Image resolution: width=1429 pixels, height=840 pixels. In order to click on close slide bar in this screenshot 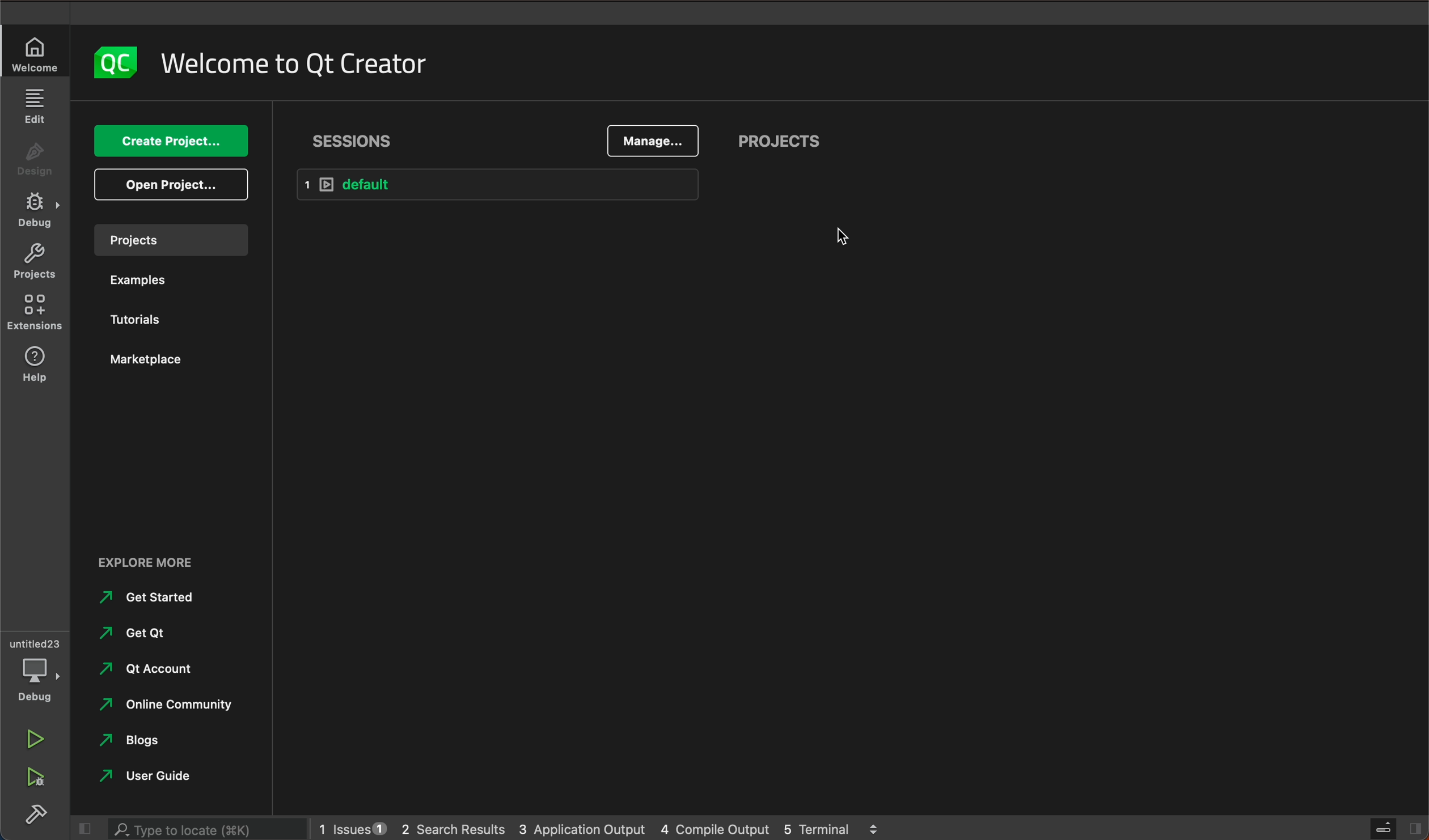, I will do `click(82, 829)`.